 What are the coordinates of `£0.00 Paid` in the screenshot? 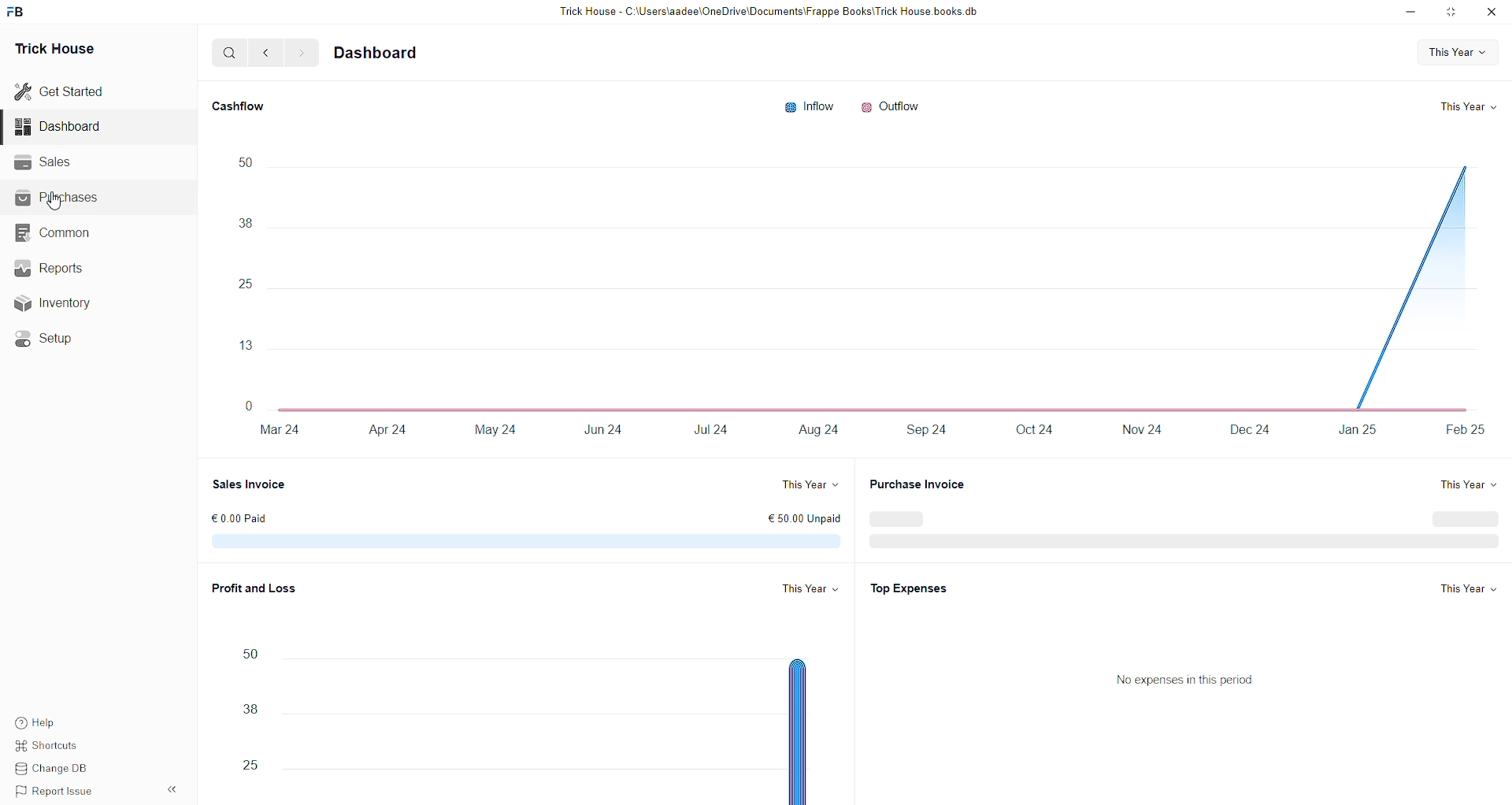 It's located at (238, 517).